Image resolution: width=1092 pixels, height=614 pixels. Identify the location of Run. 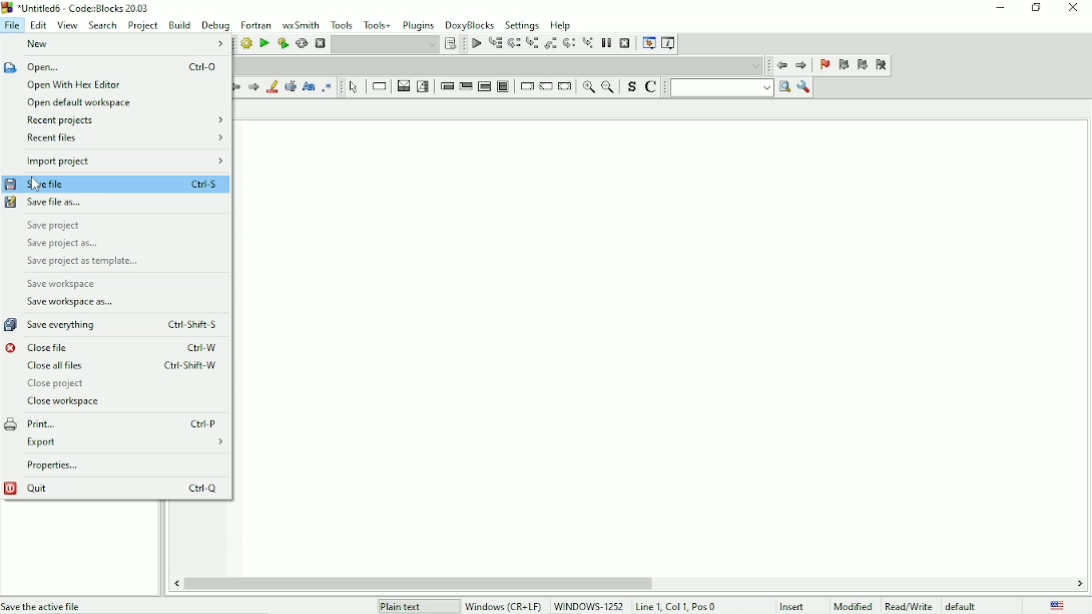
(263, 43).